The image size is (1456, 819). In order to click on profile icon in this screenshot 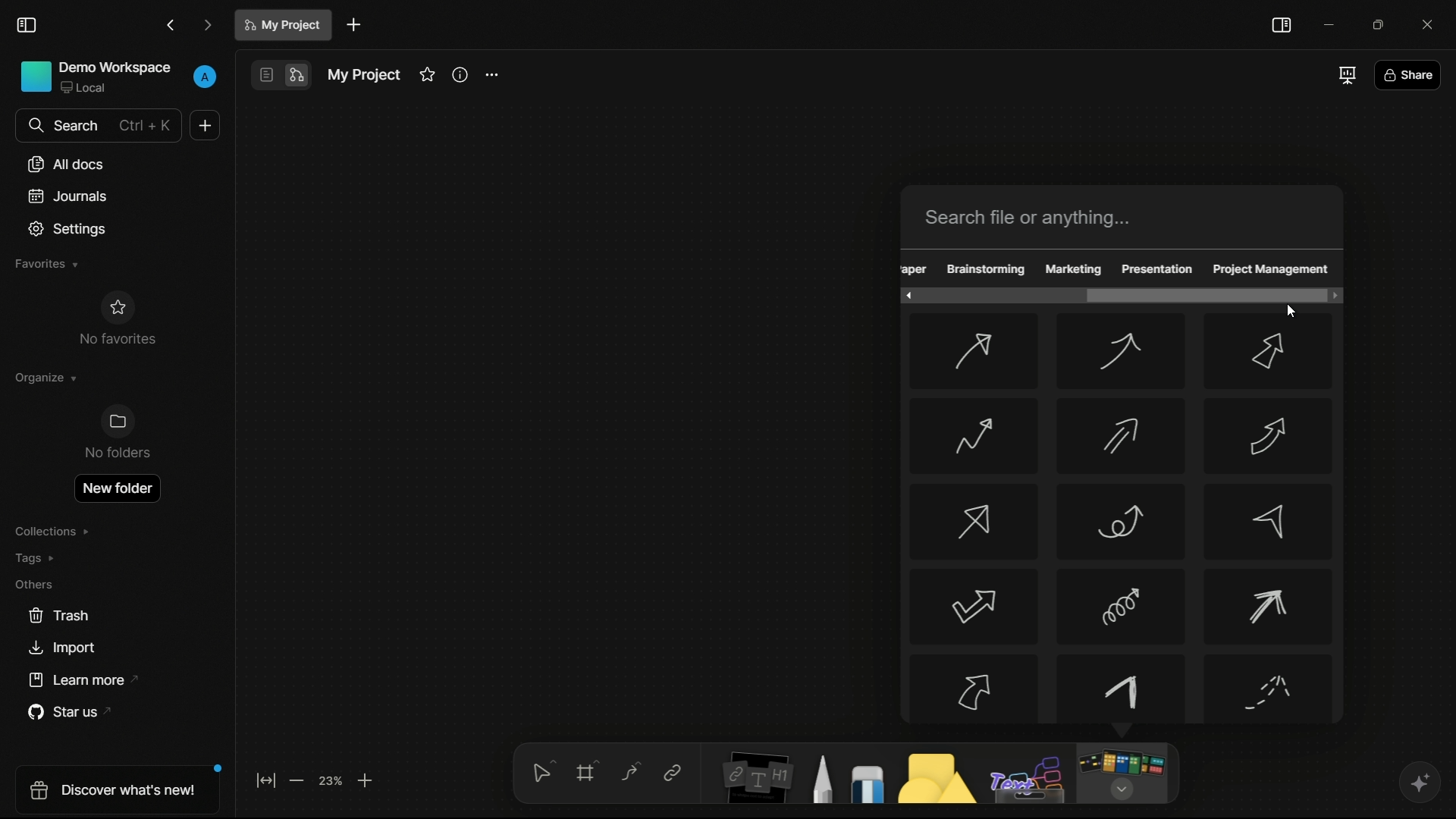, I will do `click(206, 74)`.